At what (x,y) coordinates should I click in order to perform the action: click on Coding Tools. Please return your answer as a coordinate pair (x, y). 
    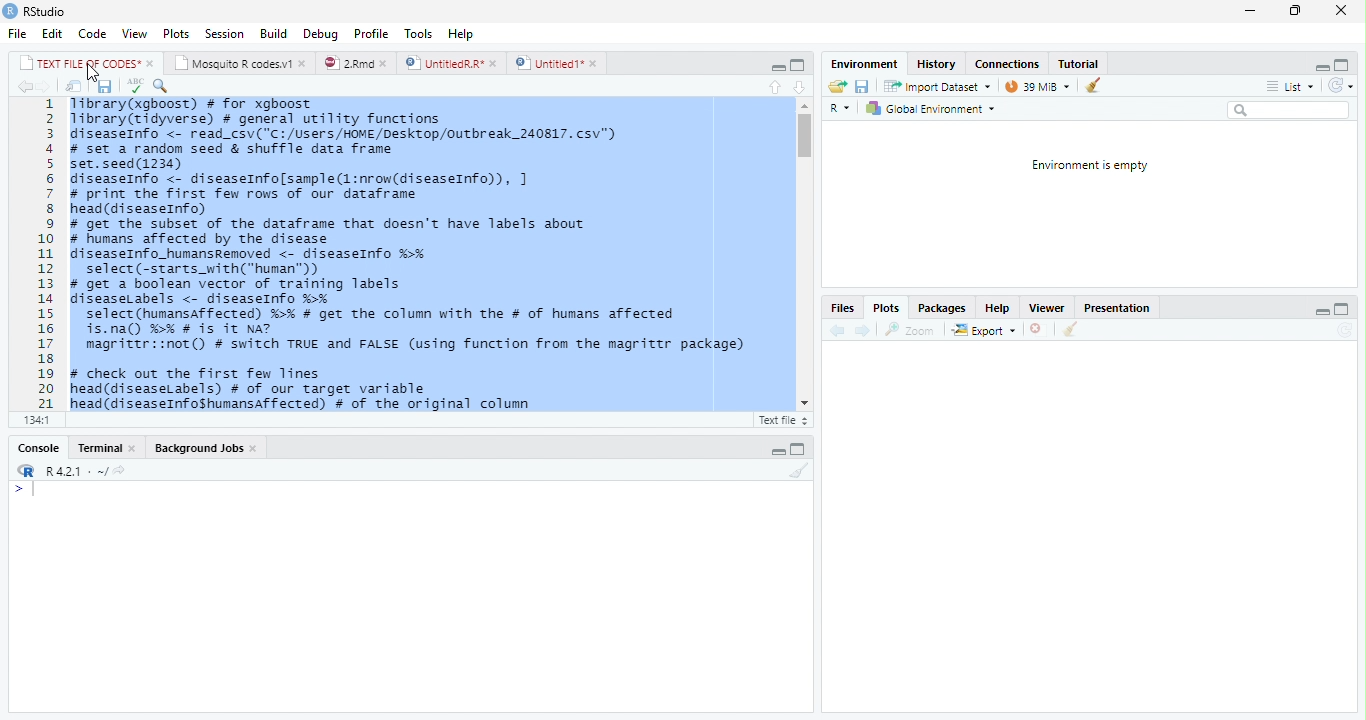
    Looking at the image, I should click on (266, 84).